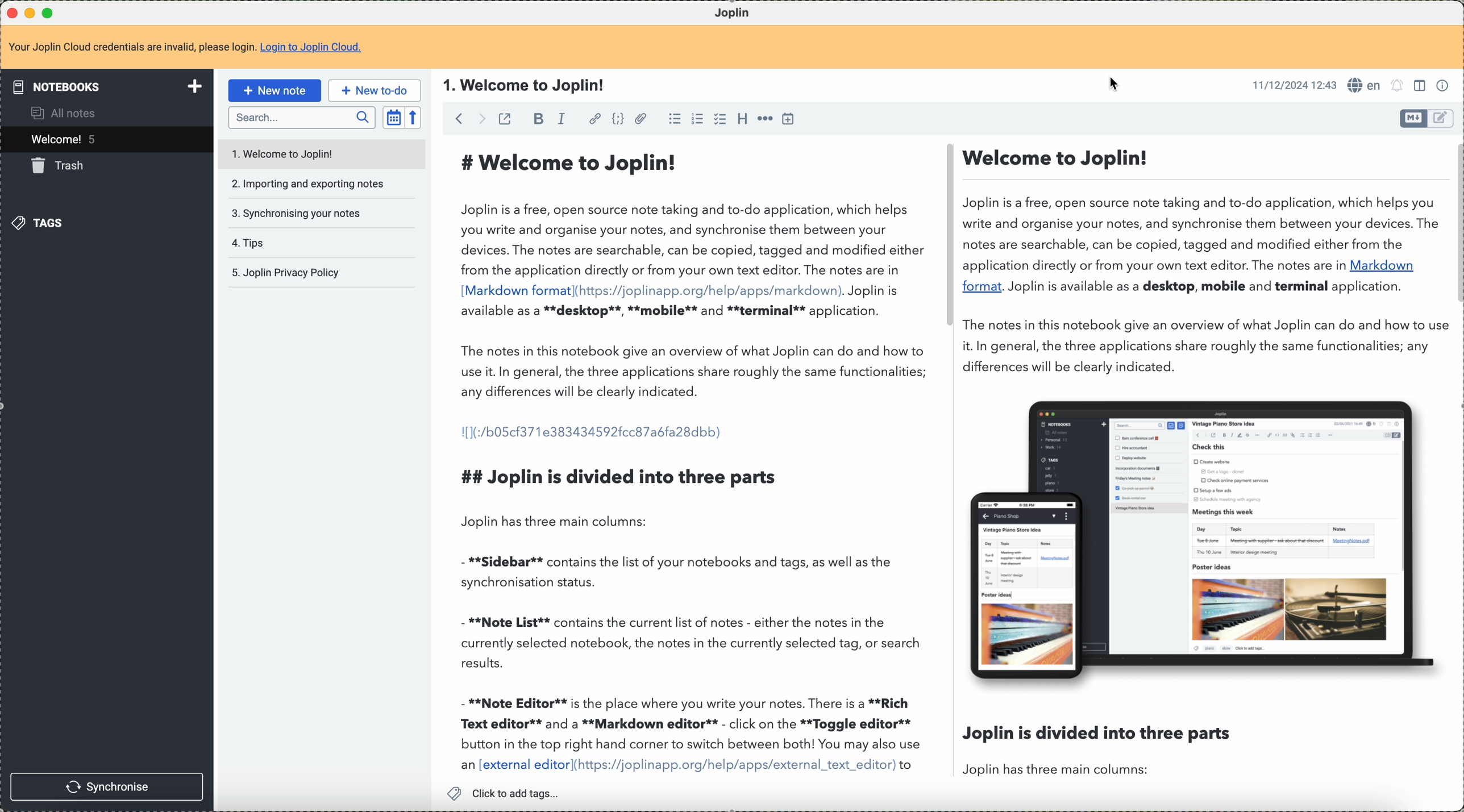 This screenshot has width=1464, height=812. What do you see at coordinates (1455, 225) in the screenshot?
I see `scroll bar` at bounding box center [1455, 225].